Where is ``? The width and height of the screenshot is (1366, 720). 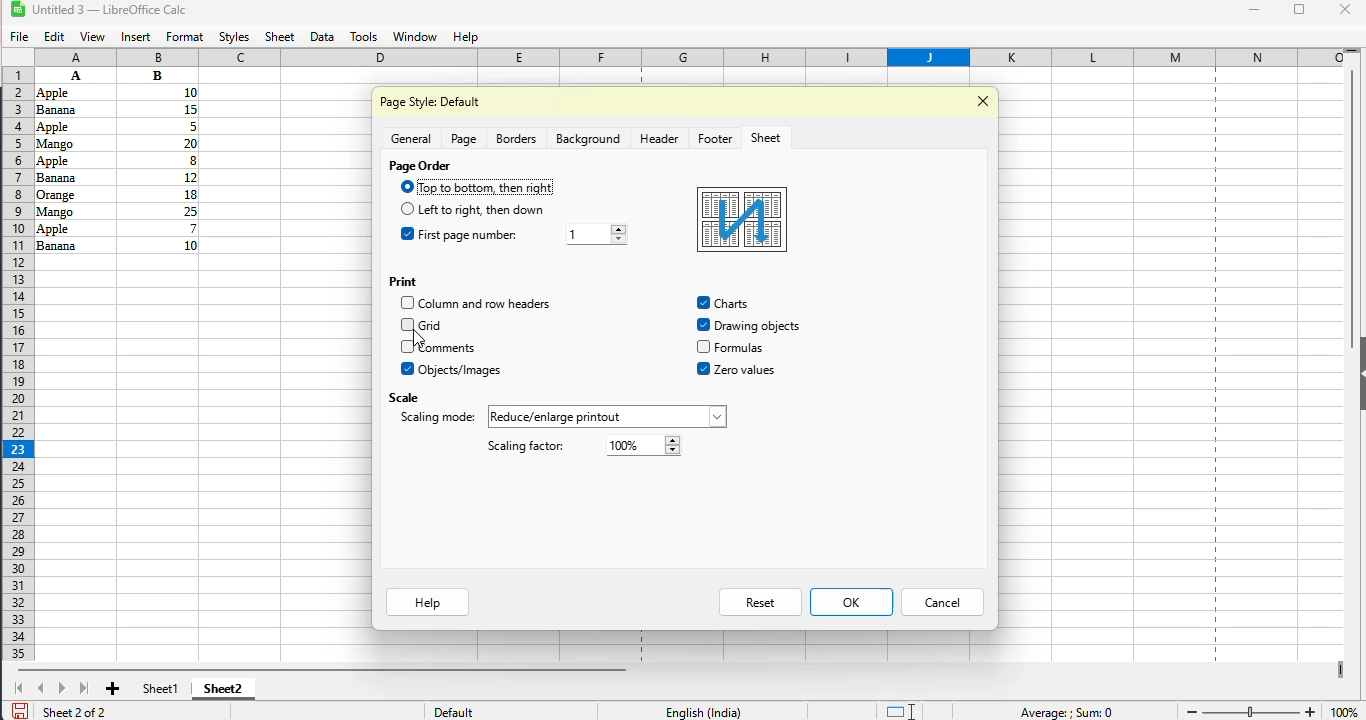  is located at coordinates (73, 178).